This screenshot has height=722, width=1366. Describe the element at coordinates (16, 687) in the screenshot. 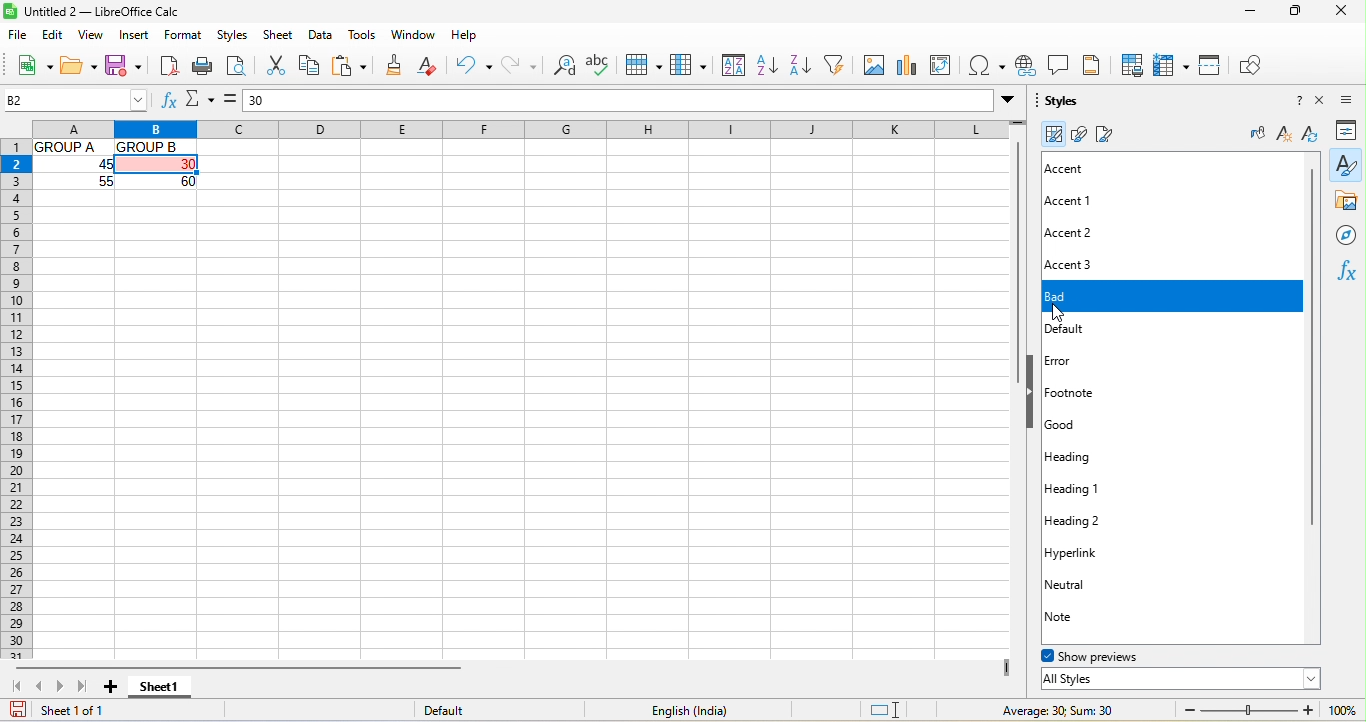

I see `first sheet ` at that location.